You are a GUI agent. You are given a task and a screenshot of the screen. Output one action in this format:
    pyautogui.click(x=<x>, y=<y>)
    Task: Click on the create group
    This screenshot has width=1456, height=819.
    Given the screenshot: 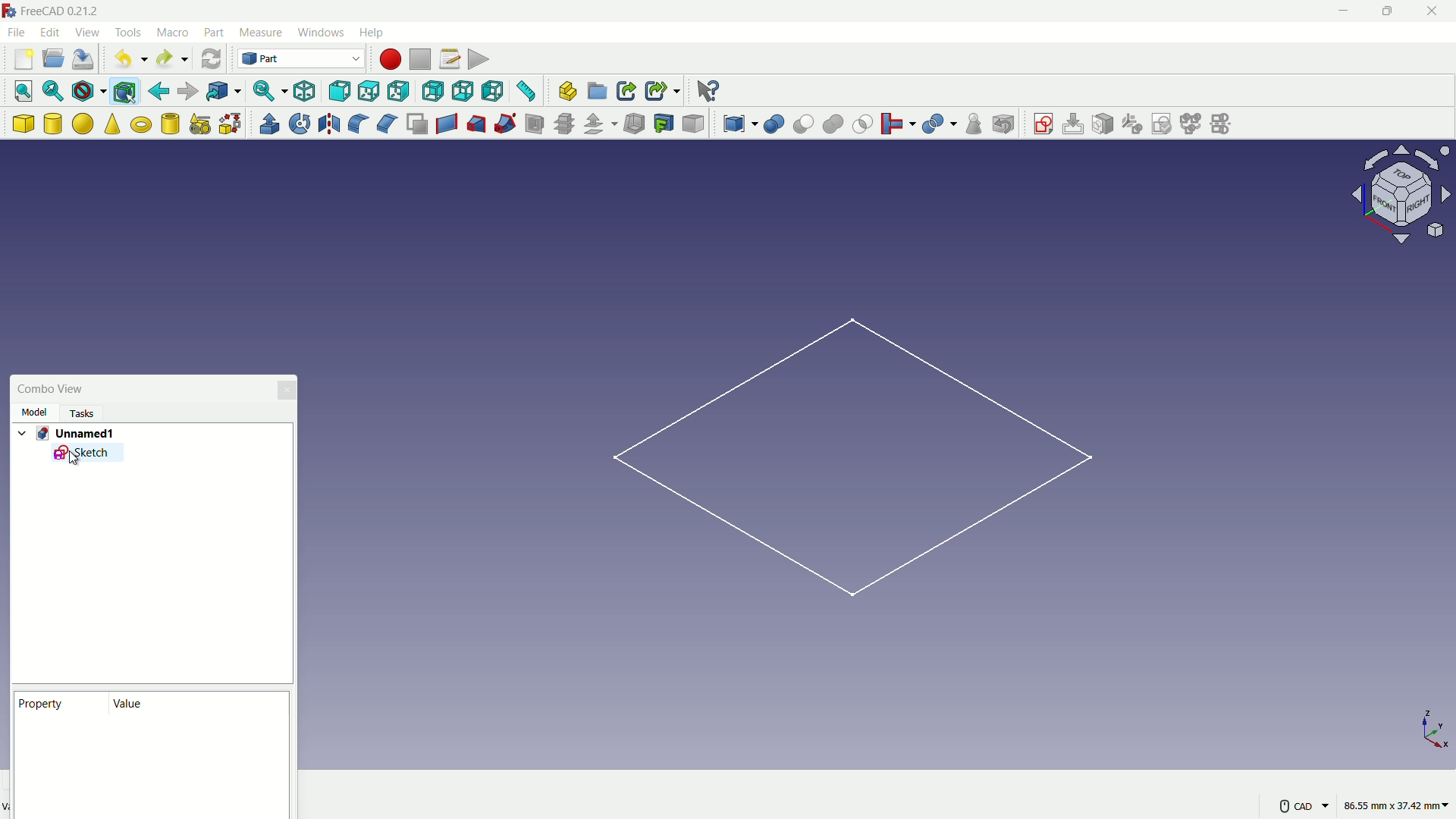 What is the action you would take?
    pyautogui.click(x=598, y=92)
    